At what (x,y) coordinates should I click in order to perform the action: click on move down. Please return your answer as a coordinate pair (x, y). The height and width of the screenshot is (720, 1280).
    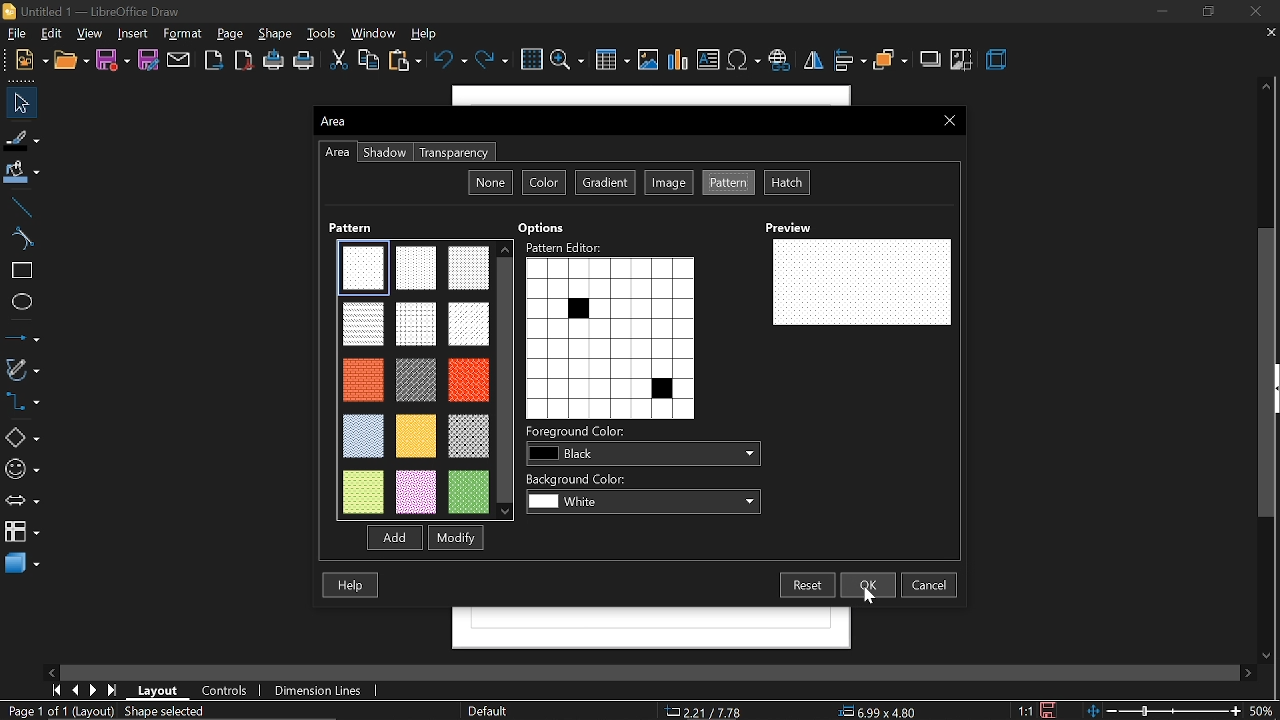
    Looking at the image, I should click on (506, 512).